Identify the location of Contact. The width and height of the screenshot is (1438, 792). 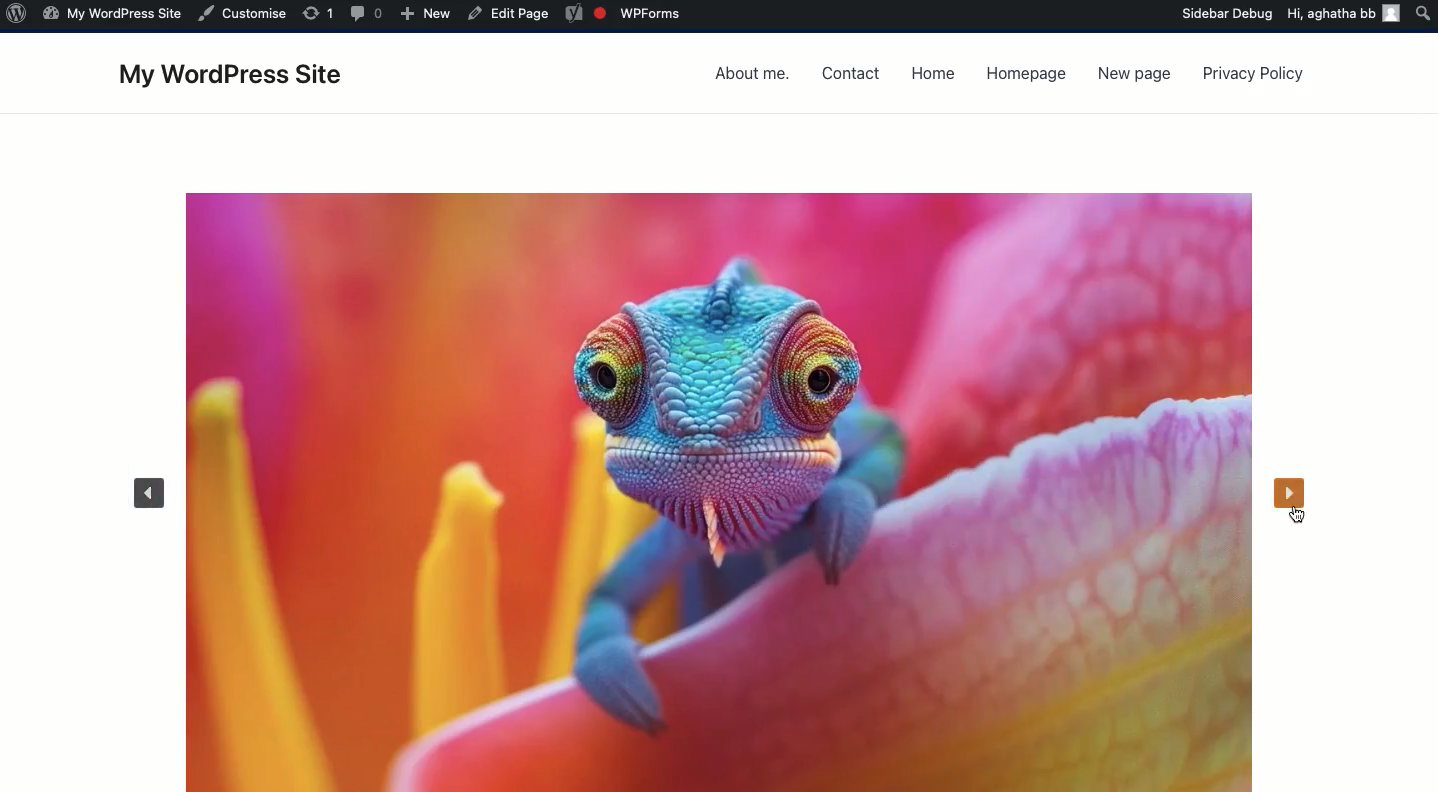
(852, 74).